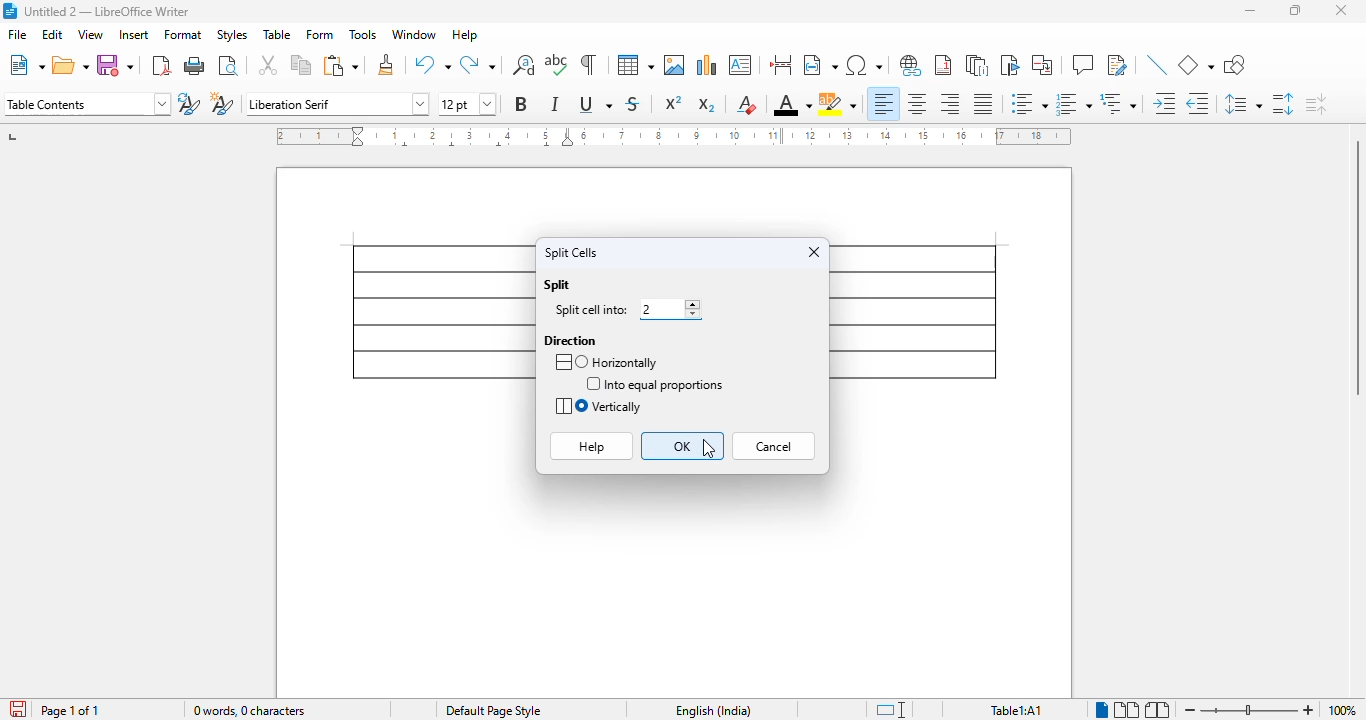 This screenshot has width=1366, height=720. What do you see at coordinates (669, 309) in the screenshot?
I see `2` at bounding box center [669, 309].